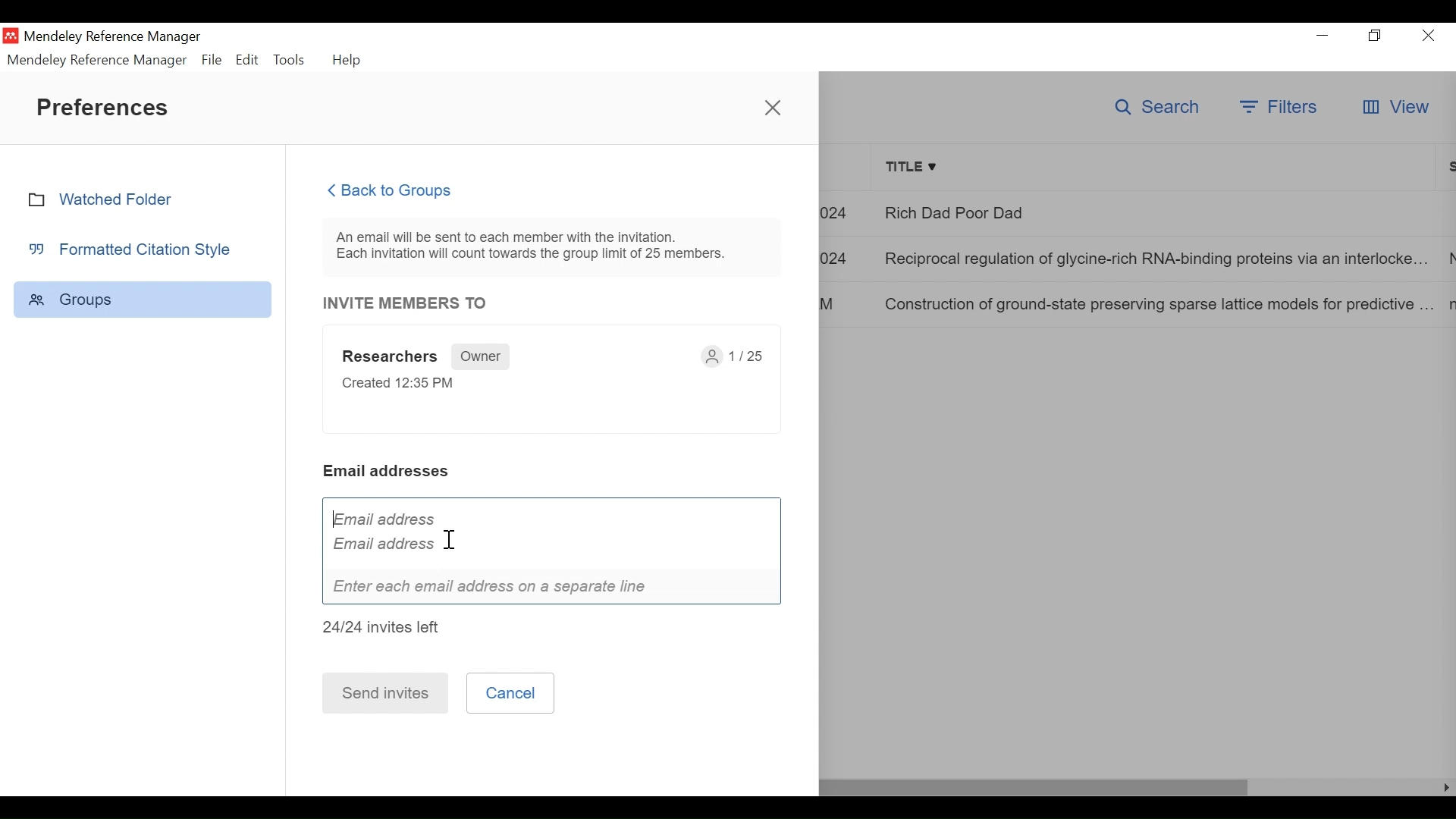 This screenshot has height=819, width=1456. Describe the element at coordinates (1395, 106) in the screenshot. I see `View` at that location.